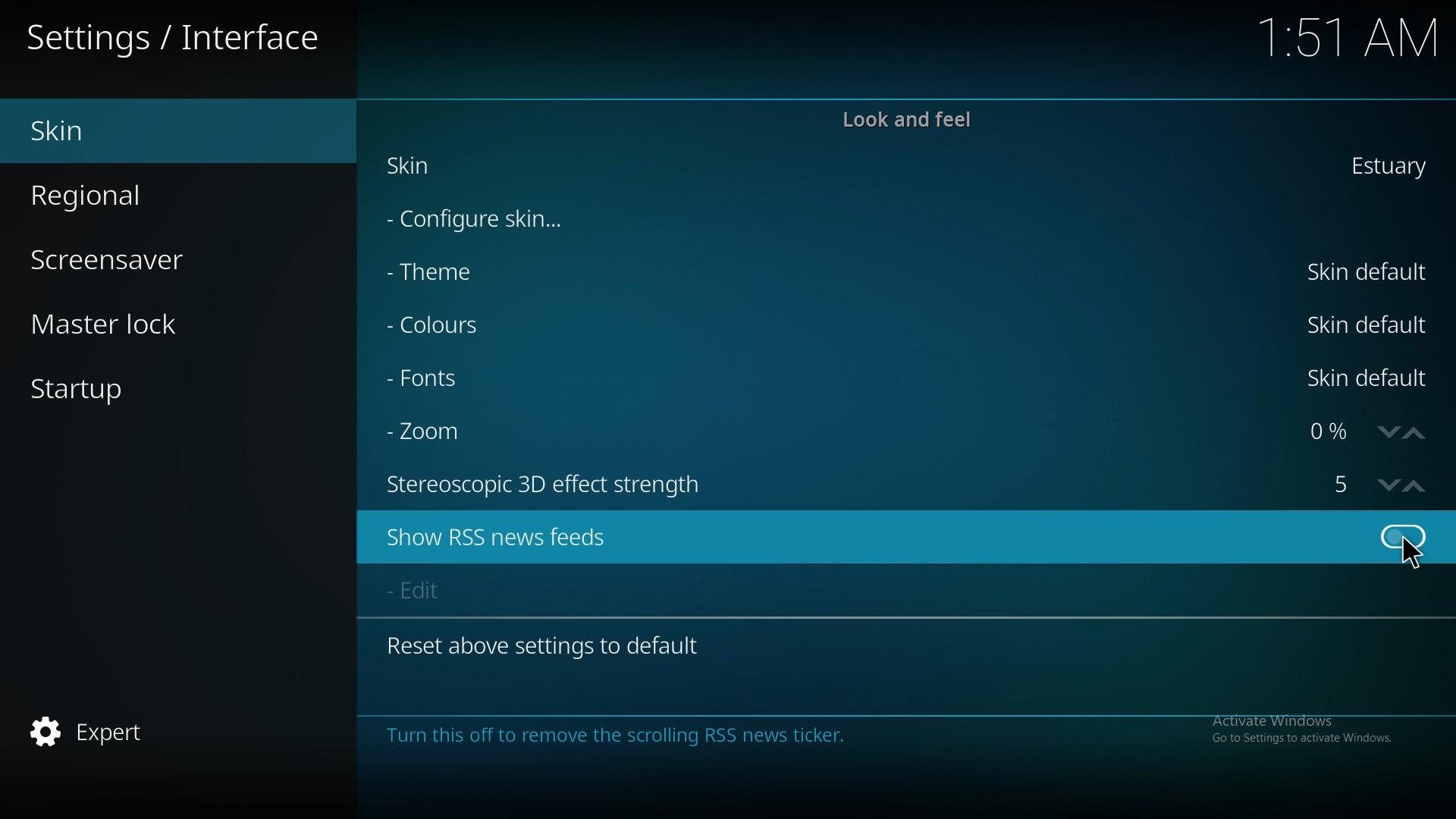 Image resolution: width=1456 pixels, height=819 pixels. What do you see at coordinates (428, 593) in the screenshot?
I see `edit` at bounding box center [428, 593].